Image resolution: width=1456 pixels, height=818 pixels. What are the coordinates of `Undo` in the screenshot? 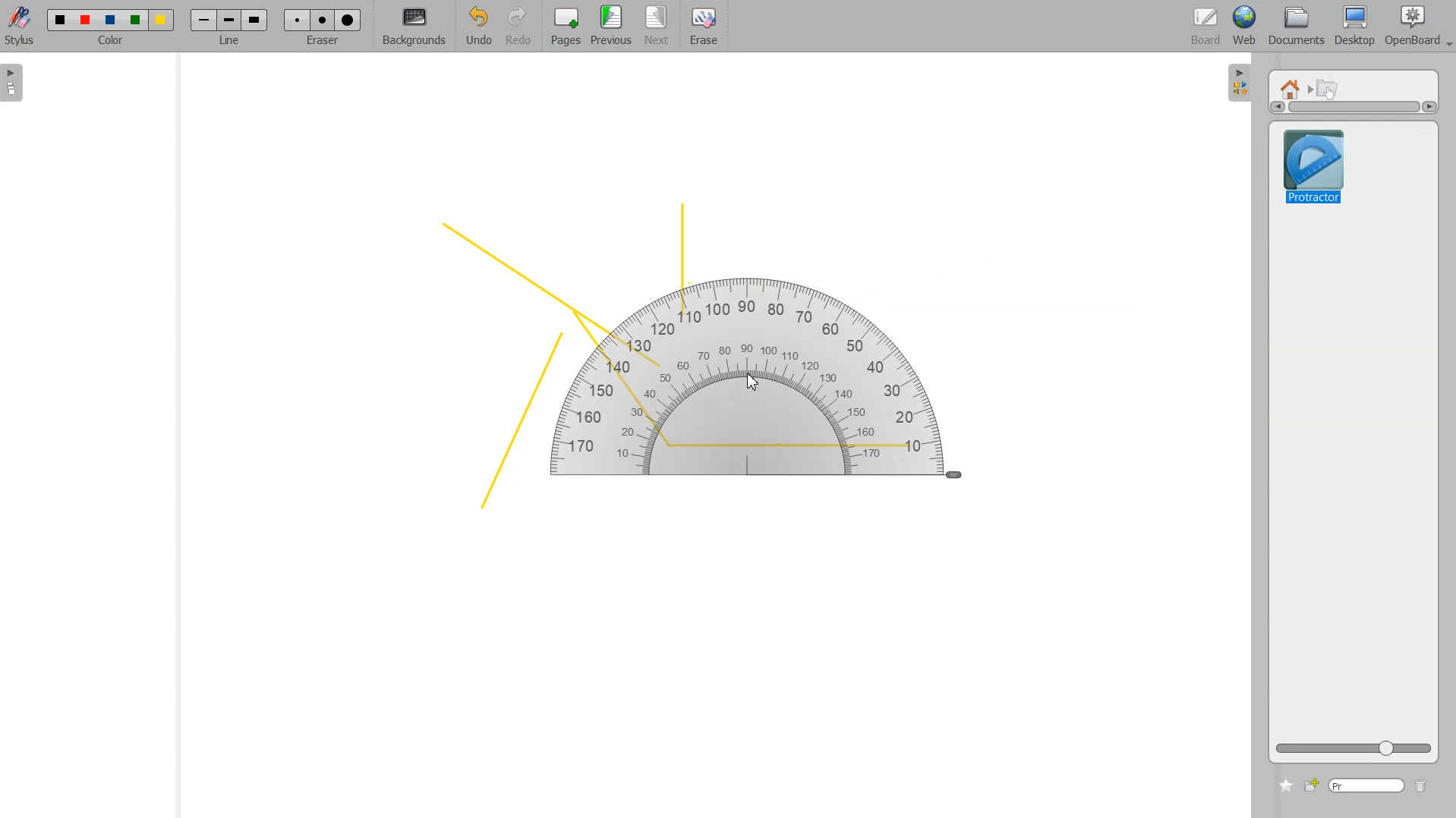 It's located at (476, 27).